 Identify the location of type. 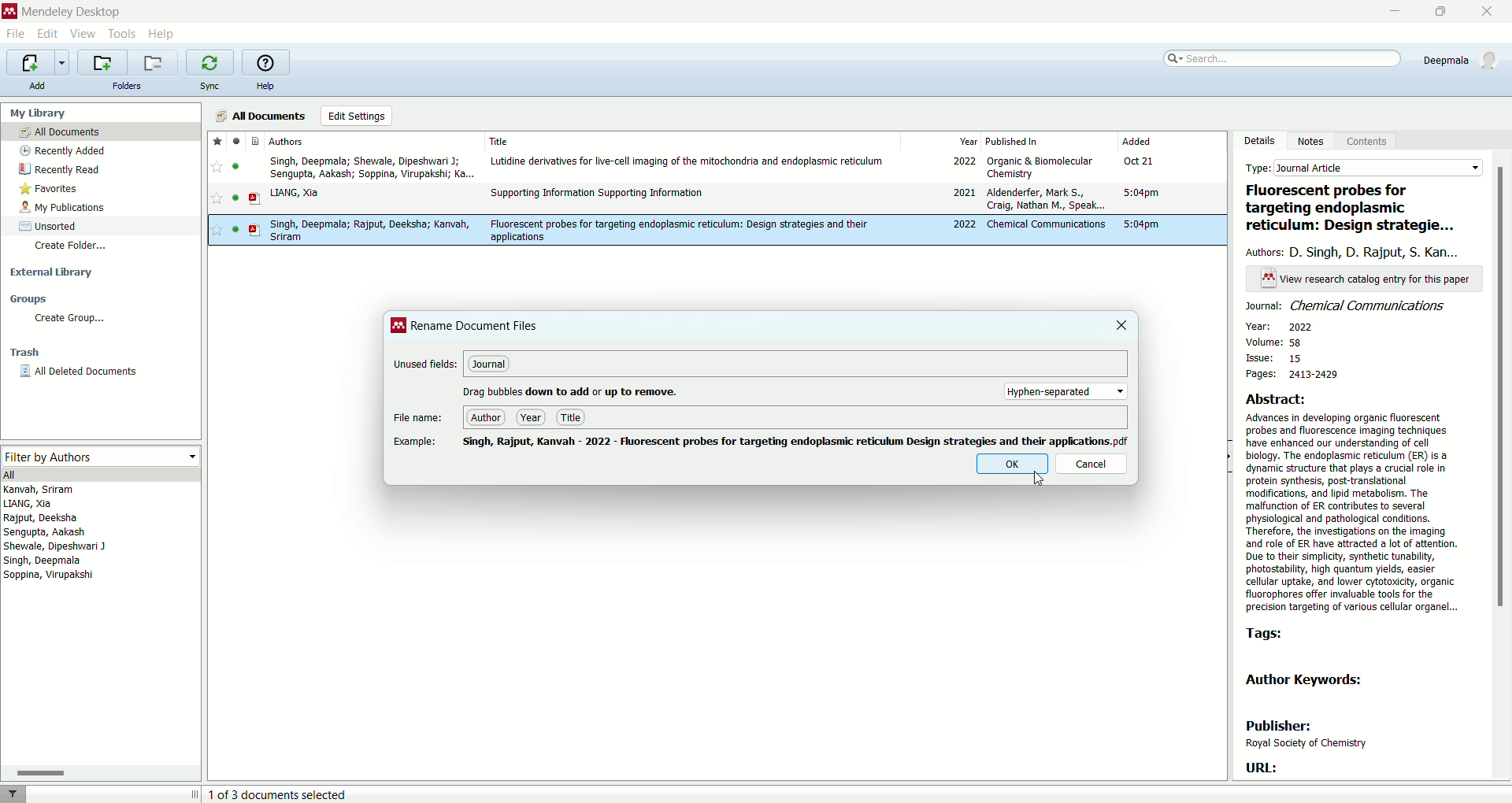
(1365, 168).